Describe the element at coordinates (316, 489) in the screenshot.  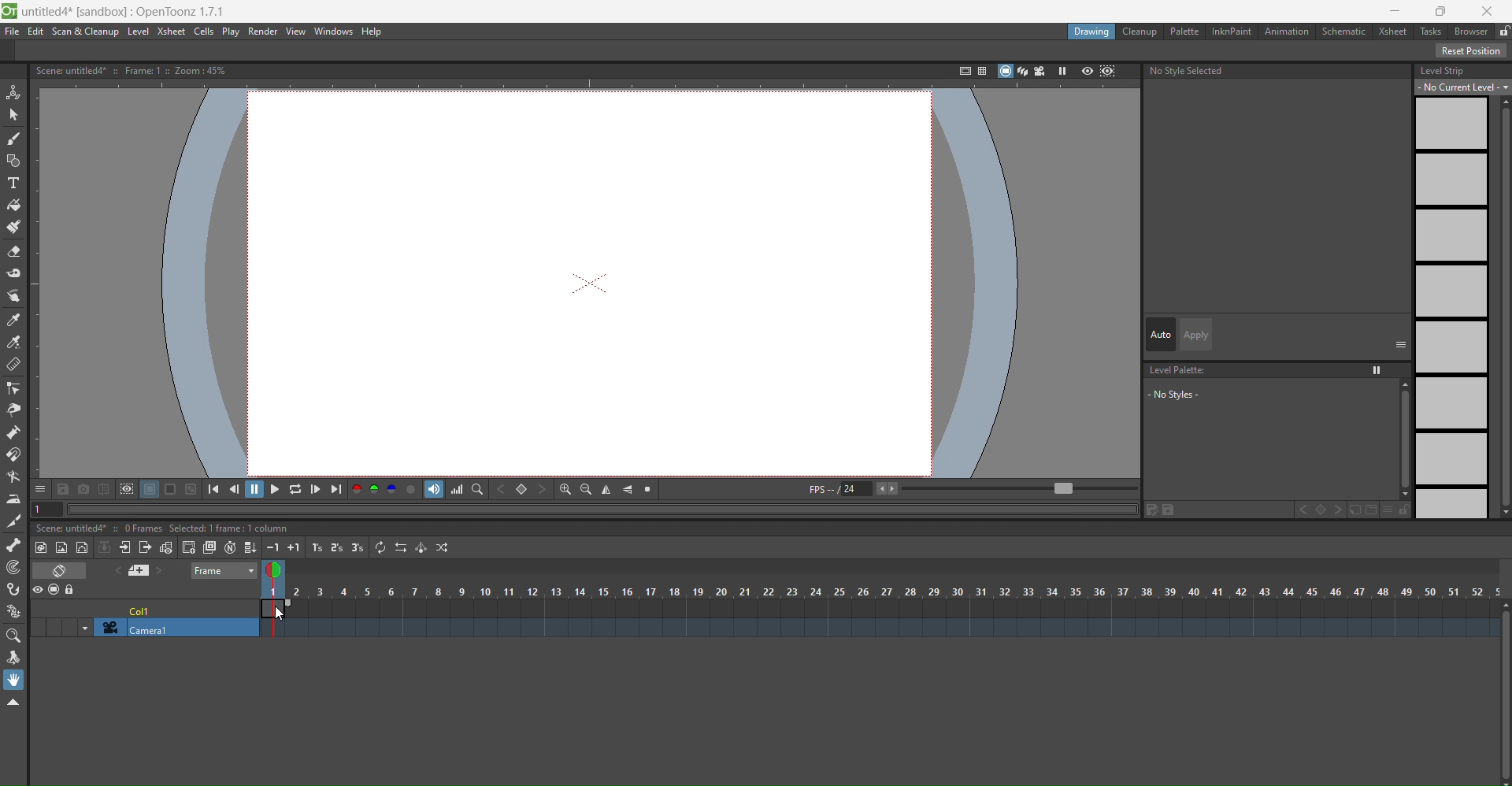
I see `next frame` at that location.